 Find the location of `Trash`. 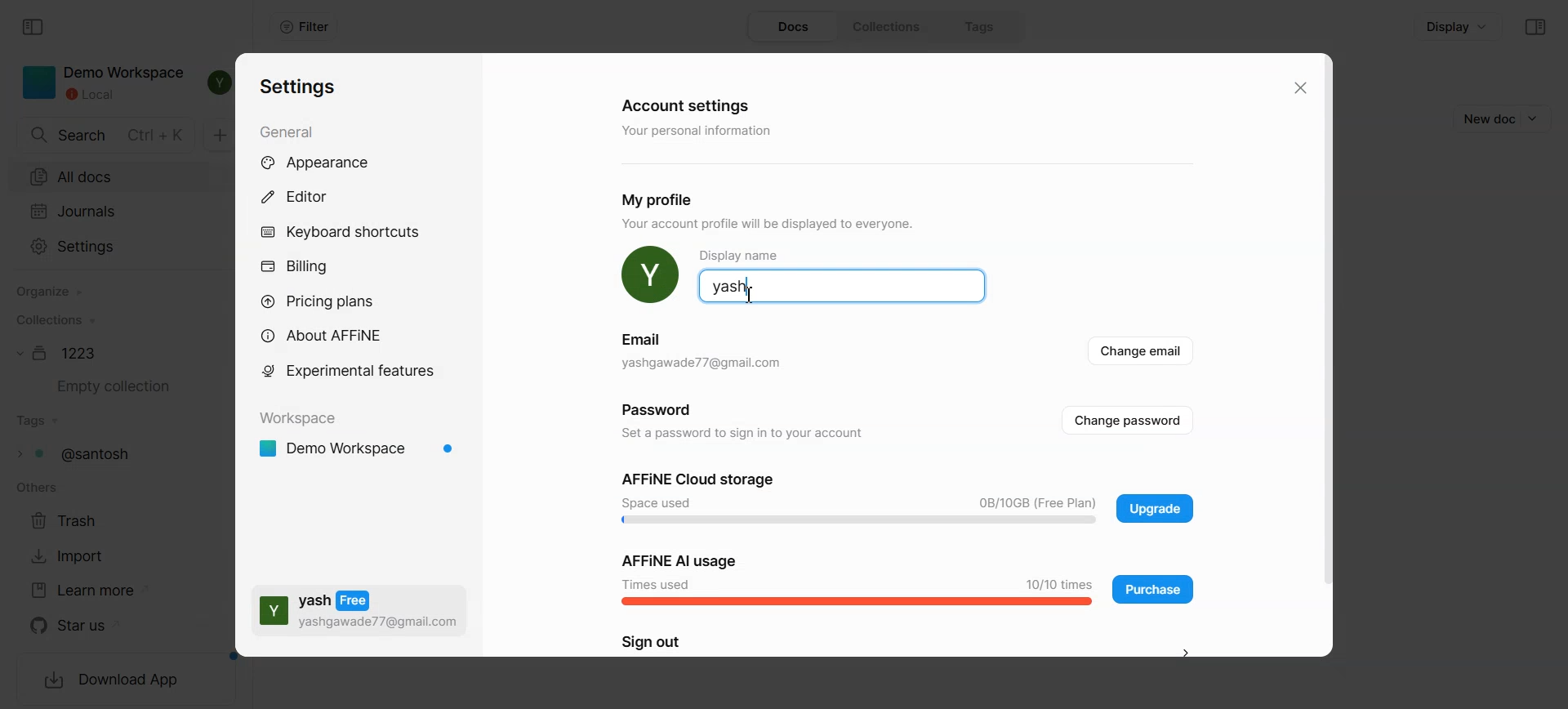

Trash is located at coordinates (73, 519).